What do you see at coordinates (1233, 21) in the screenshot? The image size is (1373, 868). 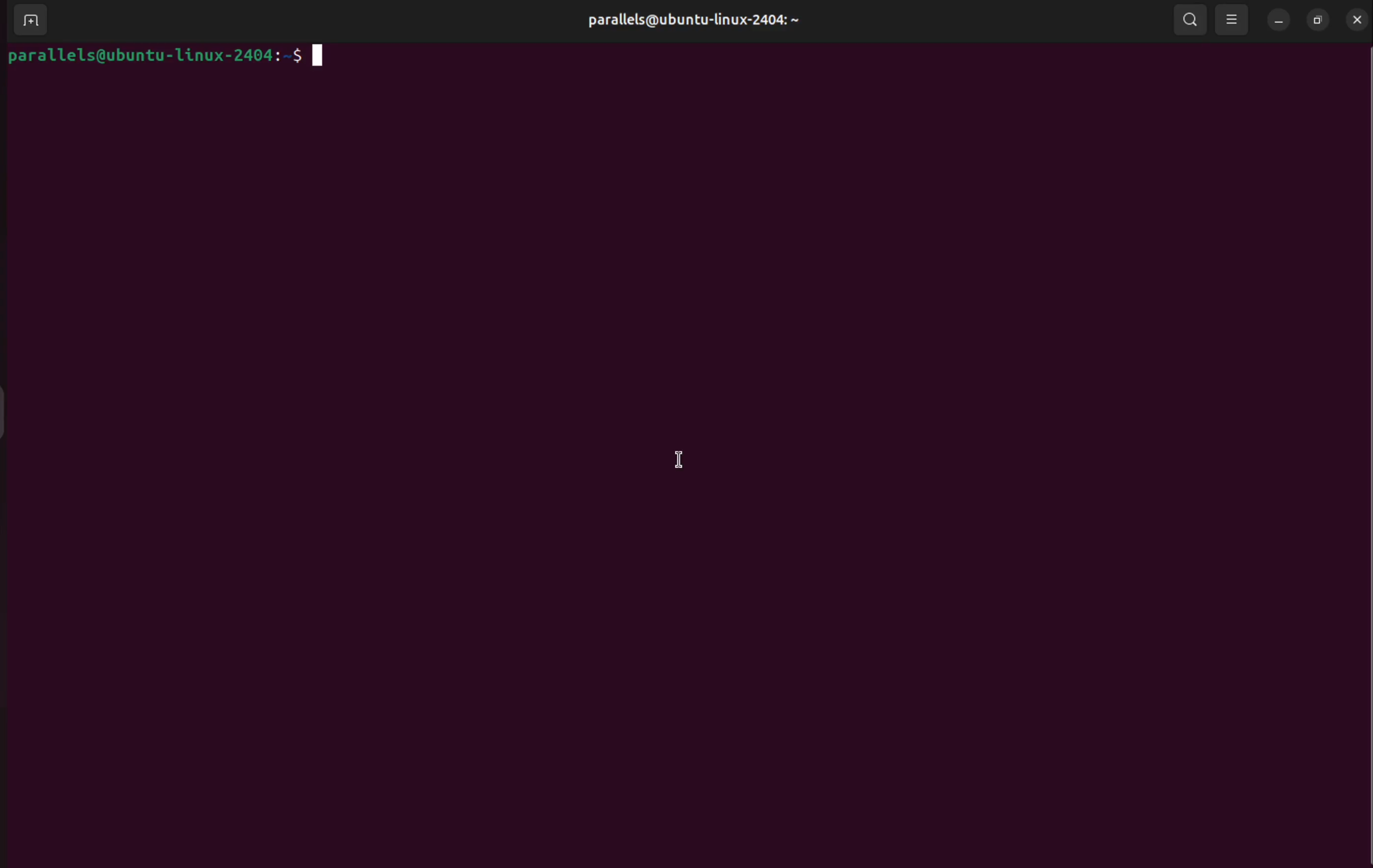 I see `view option` at bounding box center [1233, 21].